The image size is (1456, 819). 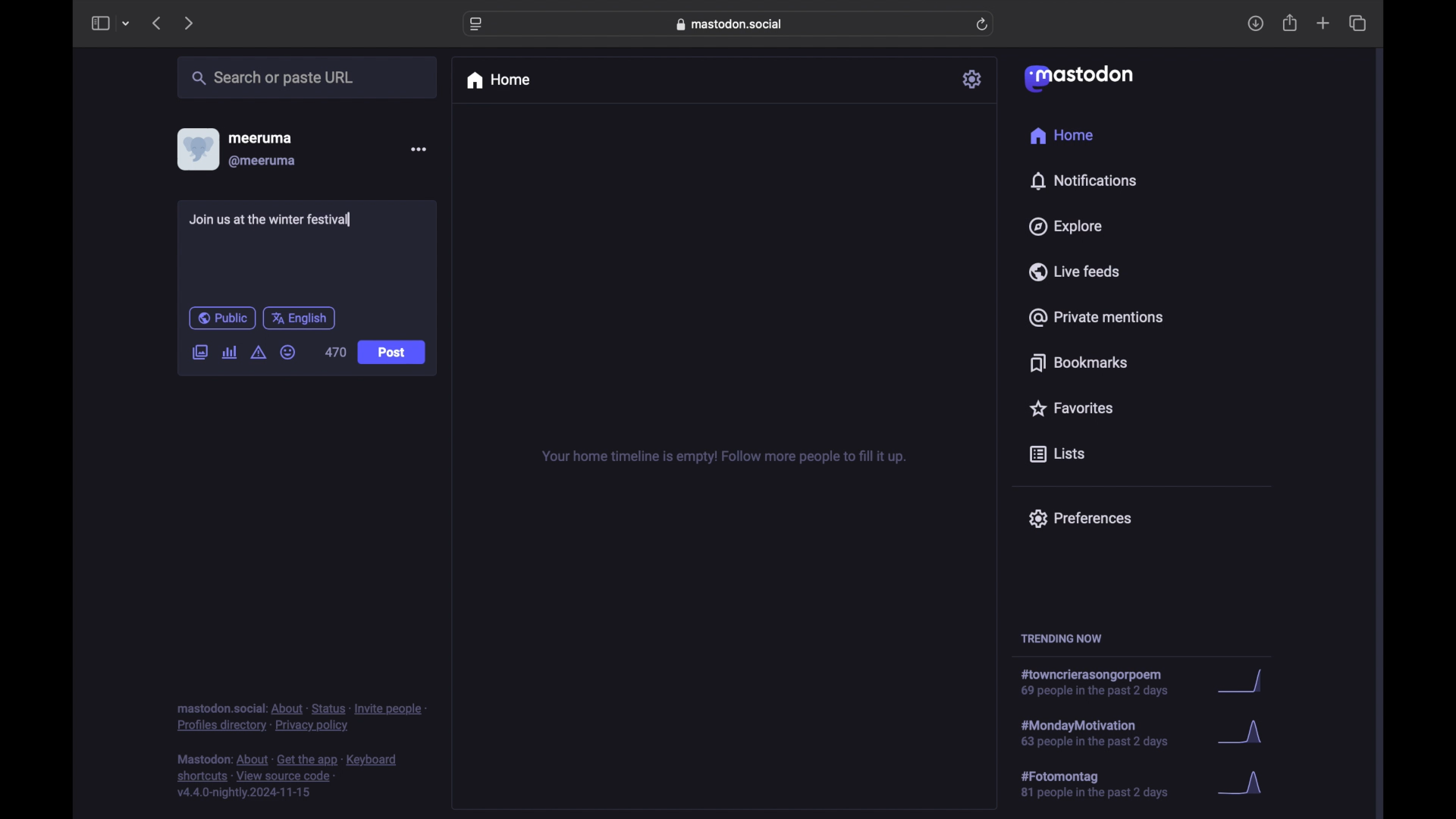 What do you see at coordinates (1245, 784) in the screenshot?
I see `graph` at bounding box center [1245, 784].